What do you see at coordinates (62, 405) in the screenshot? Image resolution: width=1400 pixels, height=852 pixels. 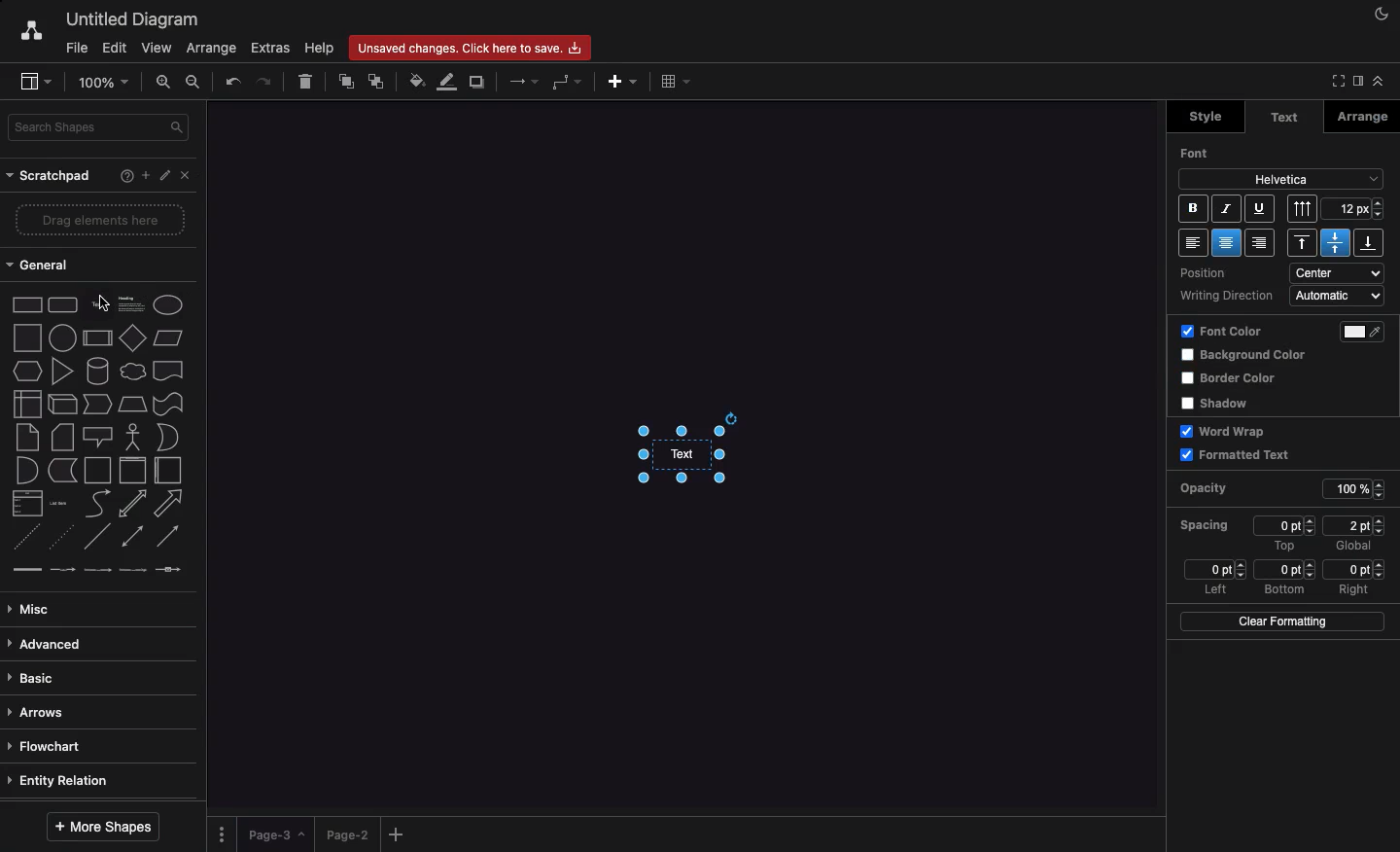 I see `cube` at bounding box center [62, 405].